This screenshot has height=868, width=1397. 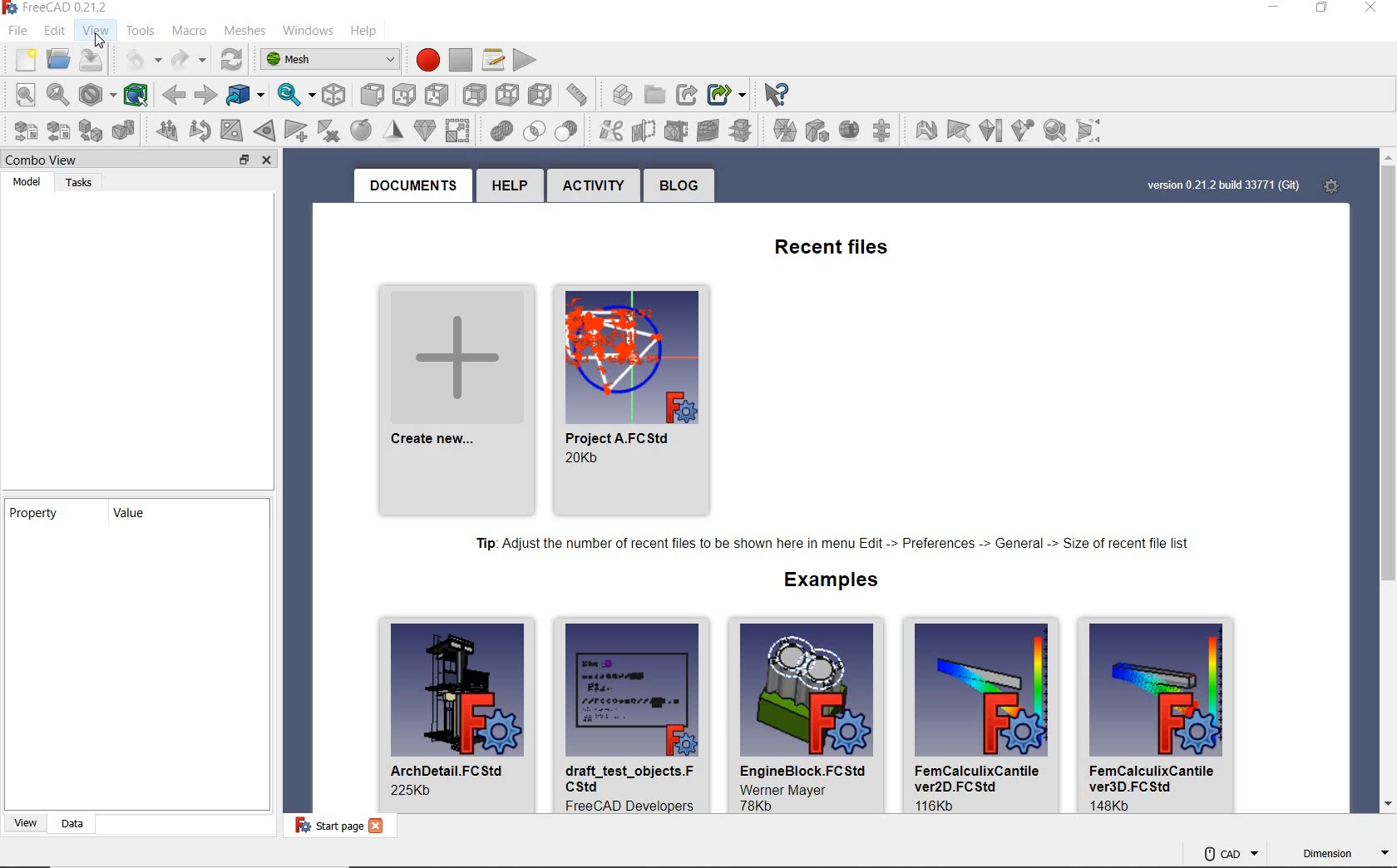 What do you see at coordinates (22, 823) in the screenshot?
I see `view` at bounding box center [22, 823].